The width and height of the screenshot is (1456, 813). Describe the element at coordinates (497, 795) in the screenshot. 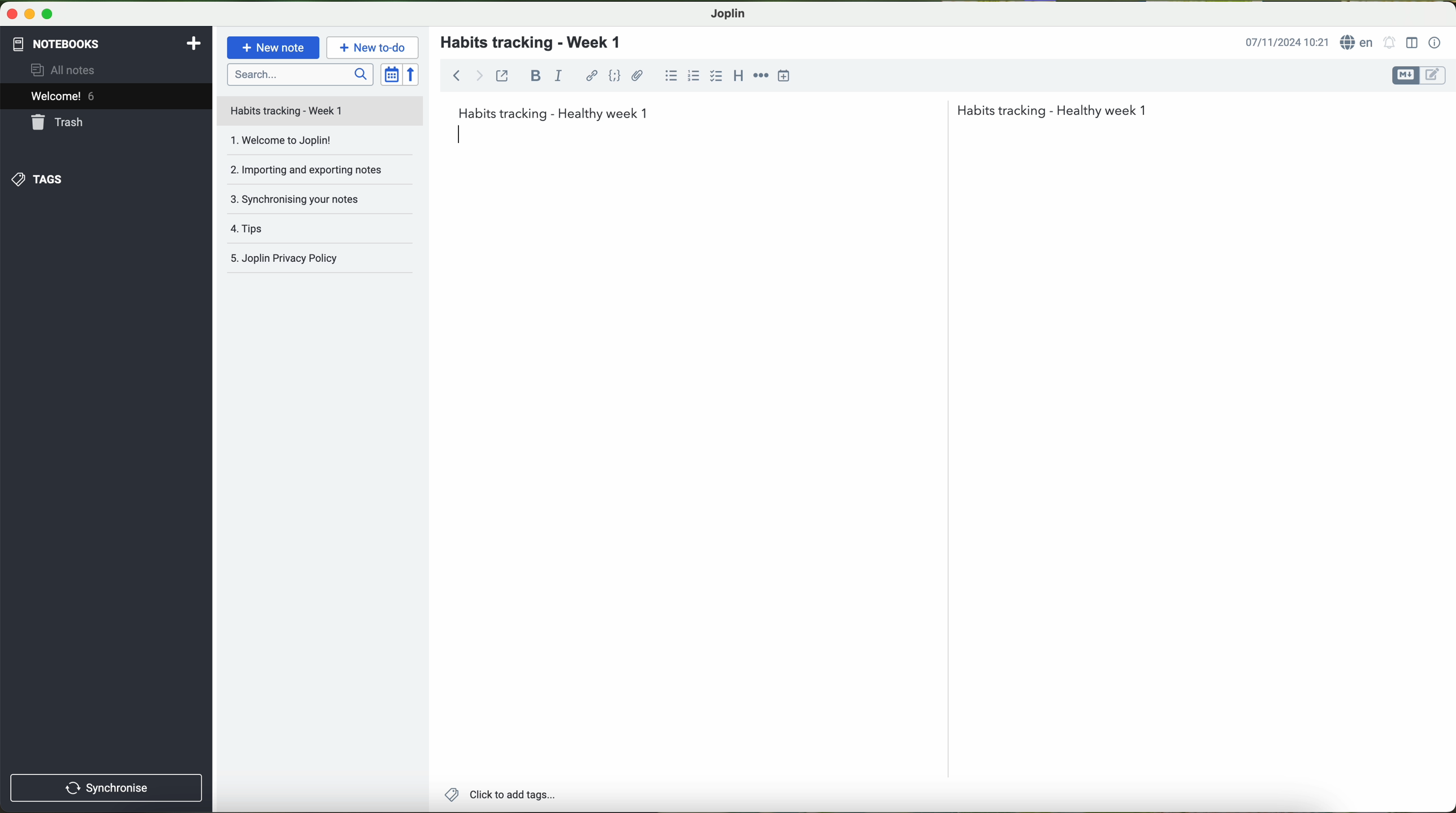

I see `add tags` at that location.